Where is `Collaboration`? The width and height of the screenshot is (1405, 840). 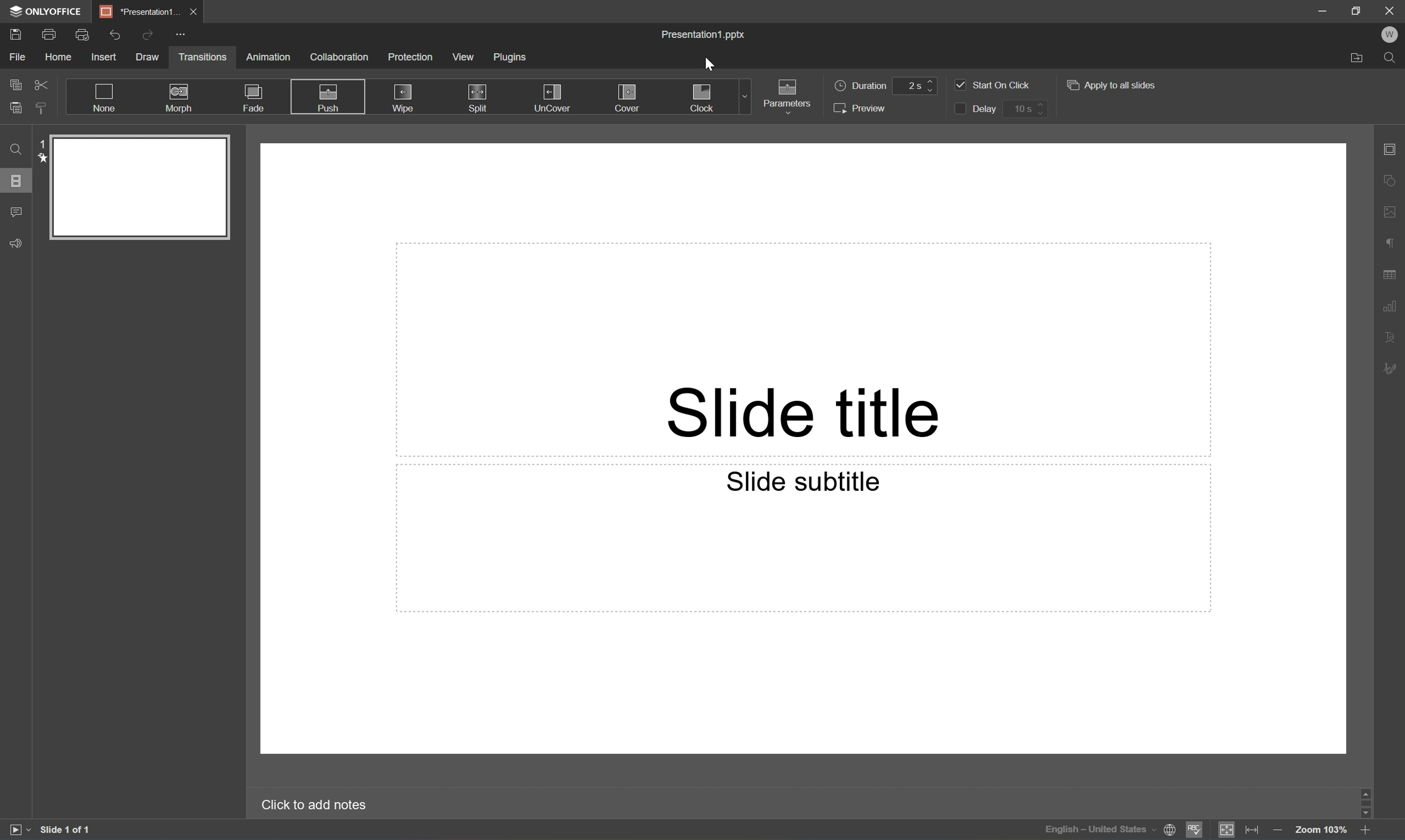 Collaboration is located at coordinates (340, 61).